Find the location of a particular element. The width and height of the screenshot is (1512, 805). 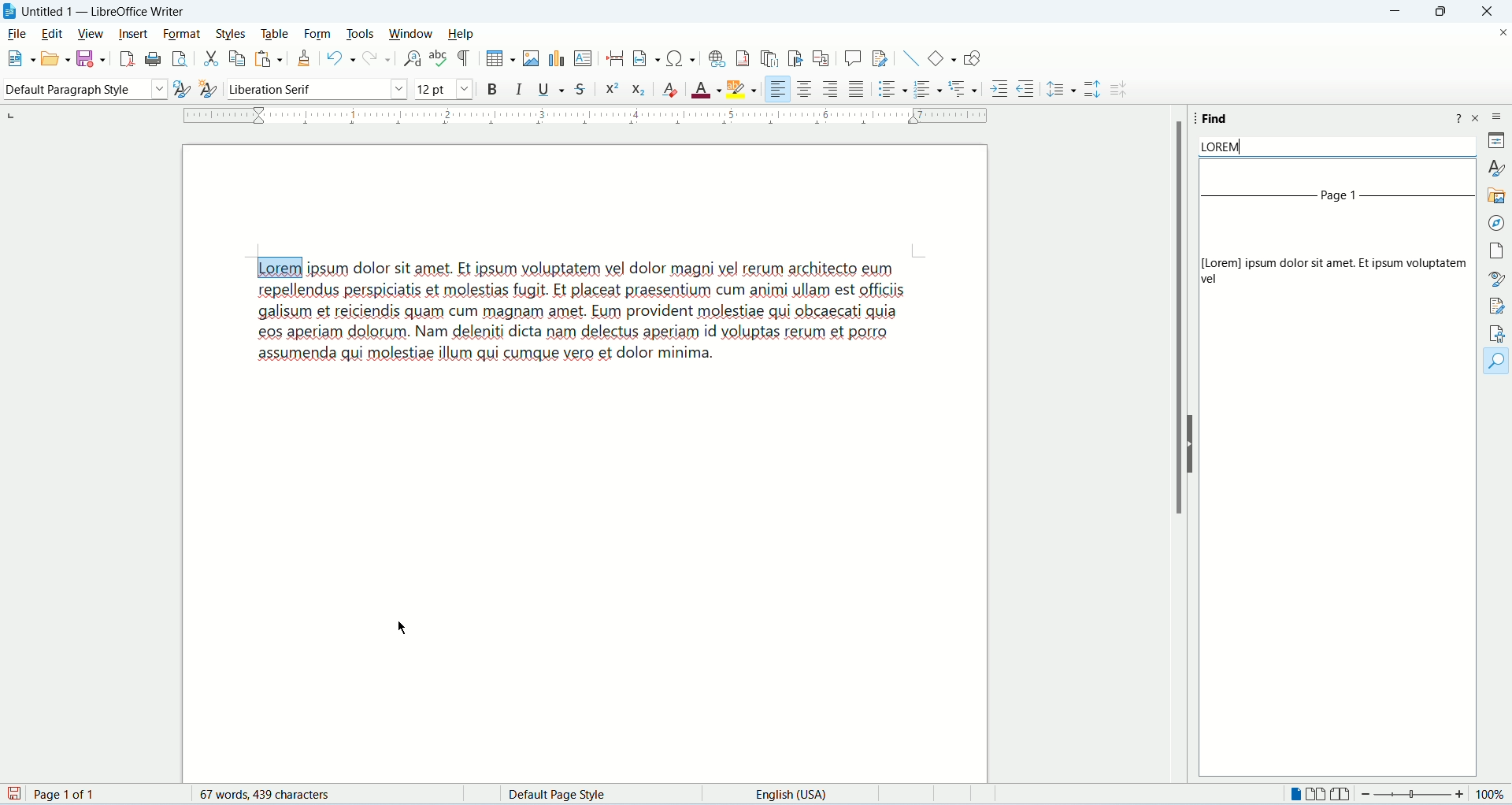

demo text - Lorem ipsum is located at coordinates (609, 347).